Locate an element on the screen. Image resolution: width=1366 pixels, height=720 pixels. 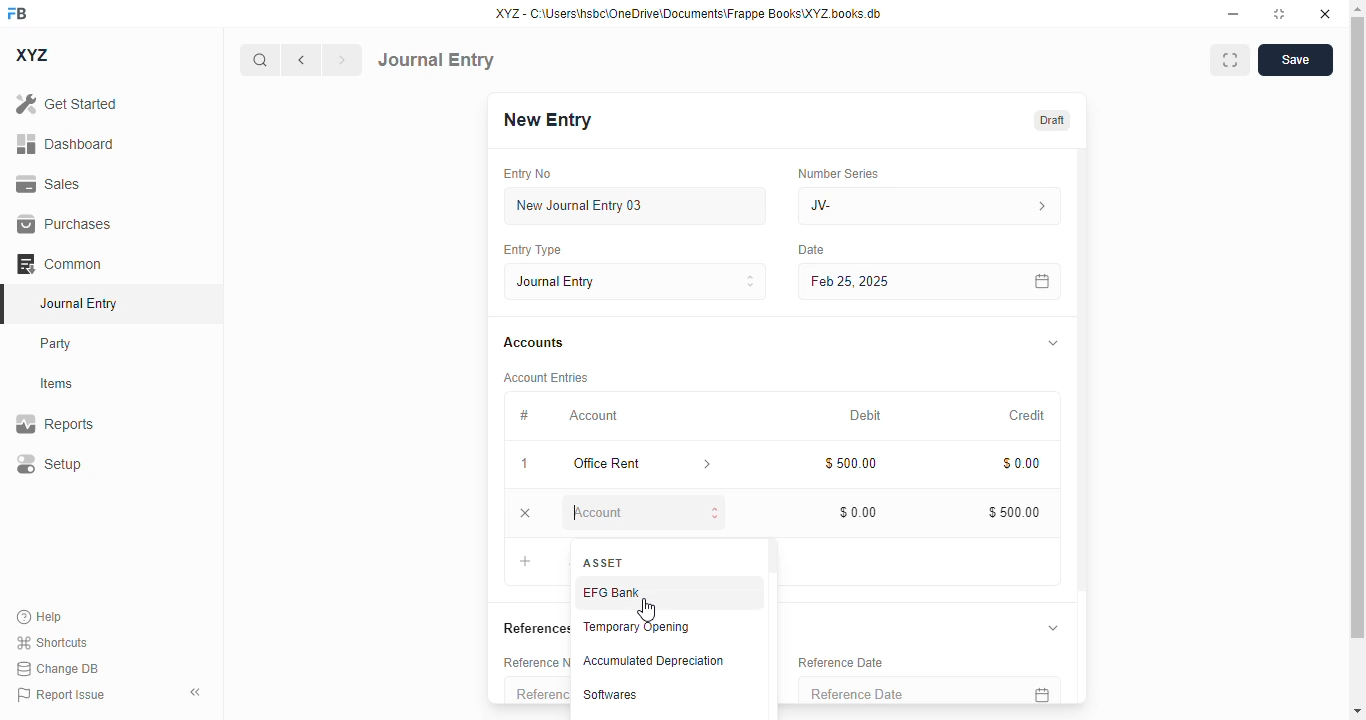
scroll down is located at coordinates (1356, 711).